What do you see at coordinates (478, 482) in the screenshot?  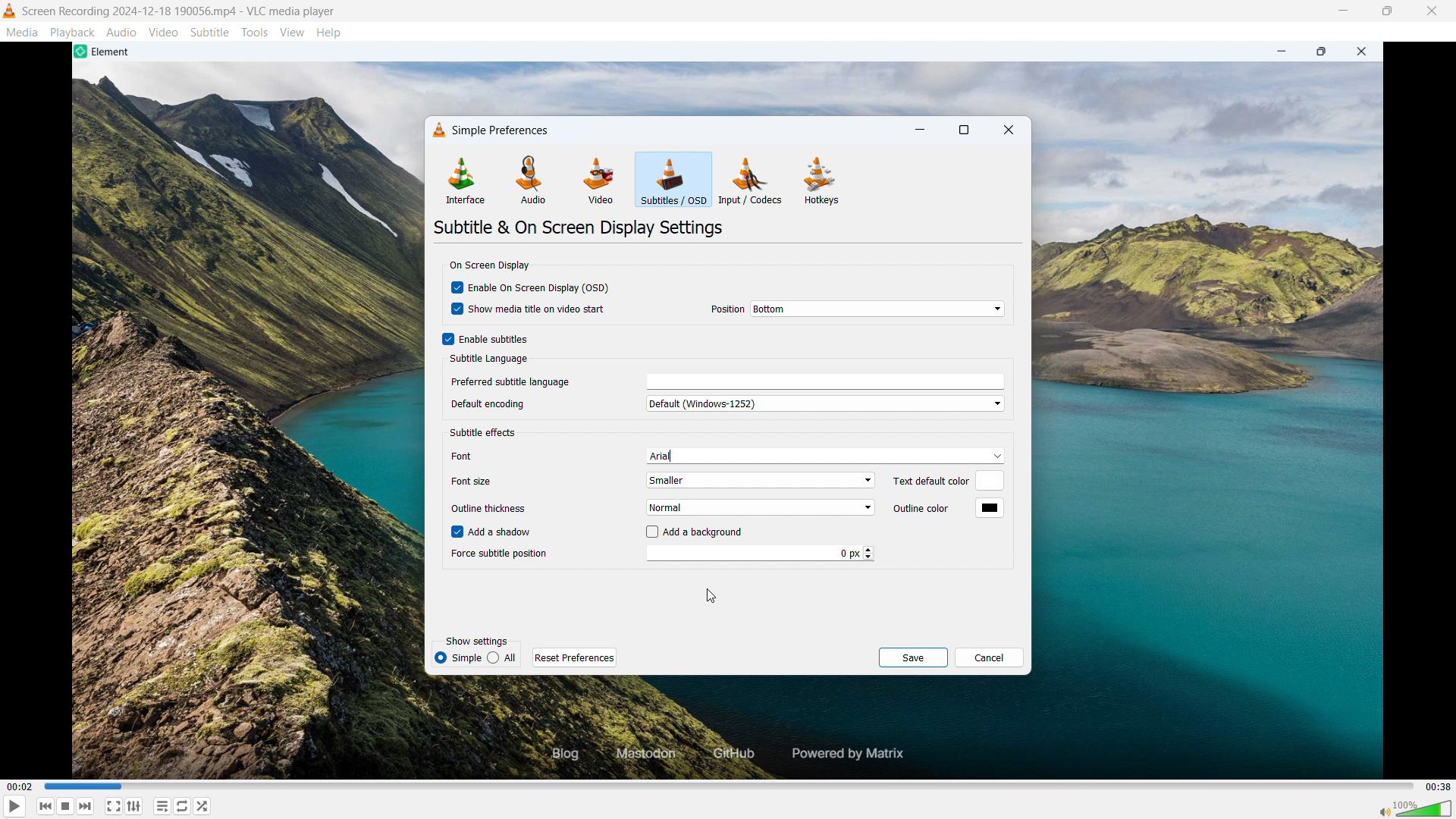 I see `Font size` at bounding box center [478, 482].